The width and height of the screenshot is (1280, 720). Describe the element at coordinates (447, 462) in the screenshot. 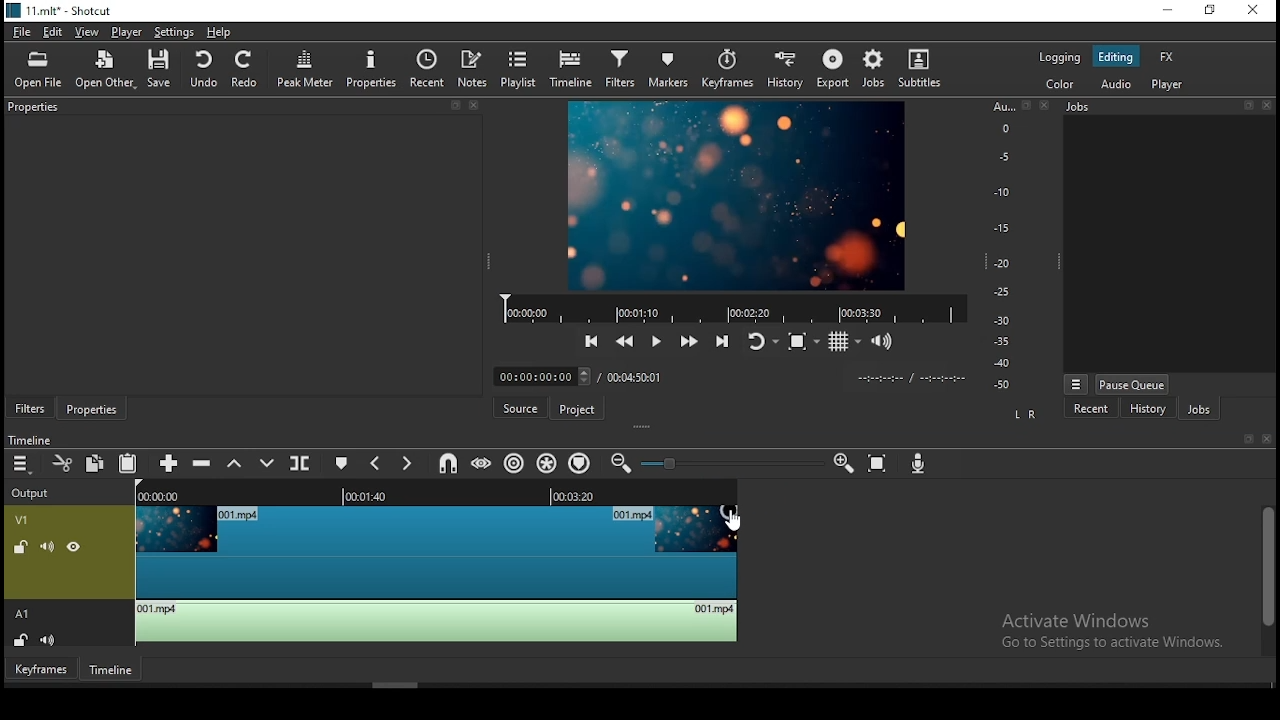

I see `snap` at that location.